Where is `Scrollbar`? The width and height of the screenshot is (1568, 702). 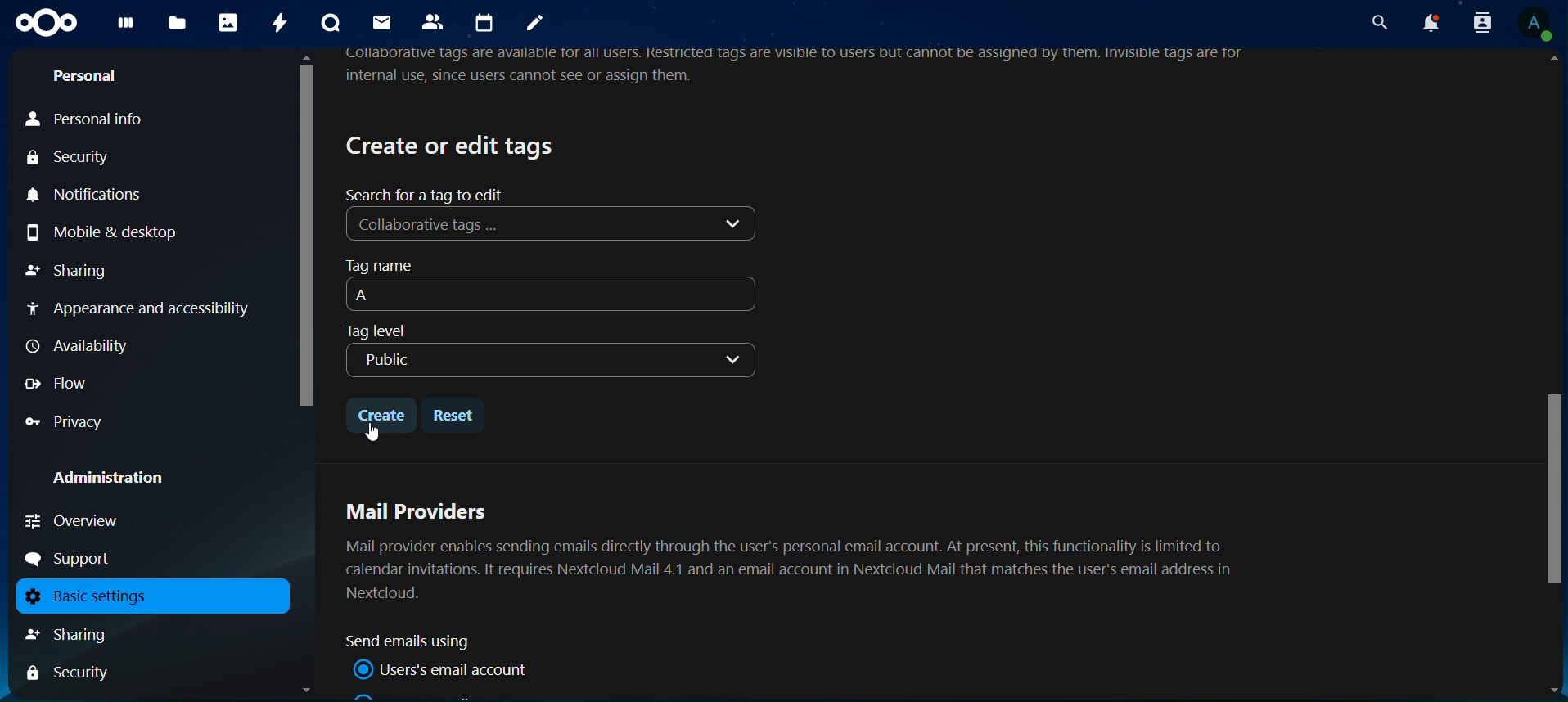
Scrollbar is located at coordinates (304, 374).